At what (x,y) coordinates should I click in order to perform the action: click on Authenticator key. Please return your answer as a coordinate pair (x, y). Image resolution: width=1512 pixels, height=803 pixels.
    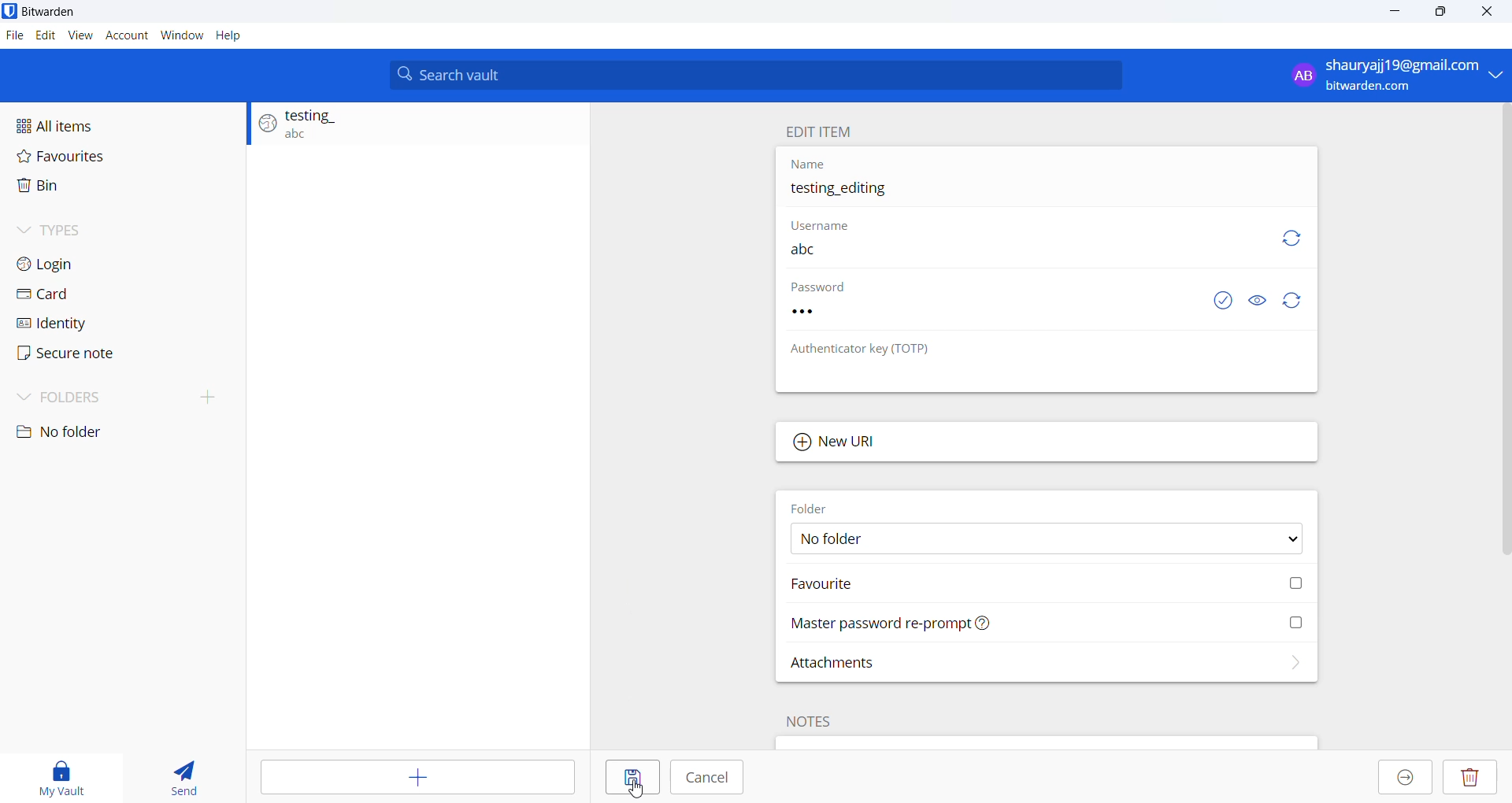
    Looking at the image, I should click on (858, 350).